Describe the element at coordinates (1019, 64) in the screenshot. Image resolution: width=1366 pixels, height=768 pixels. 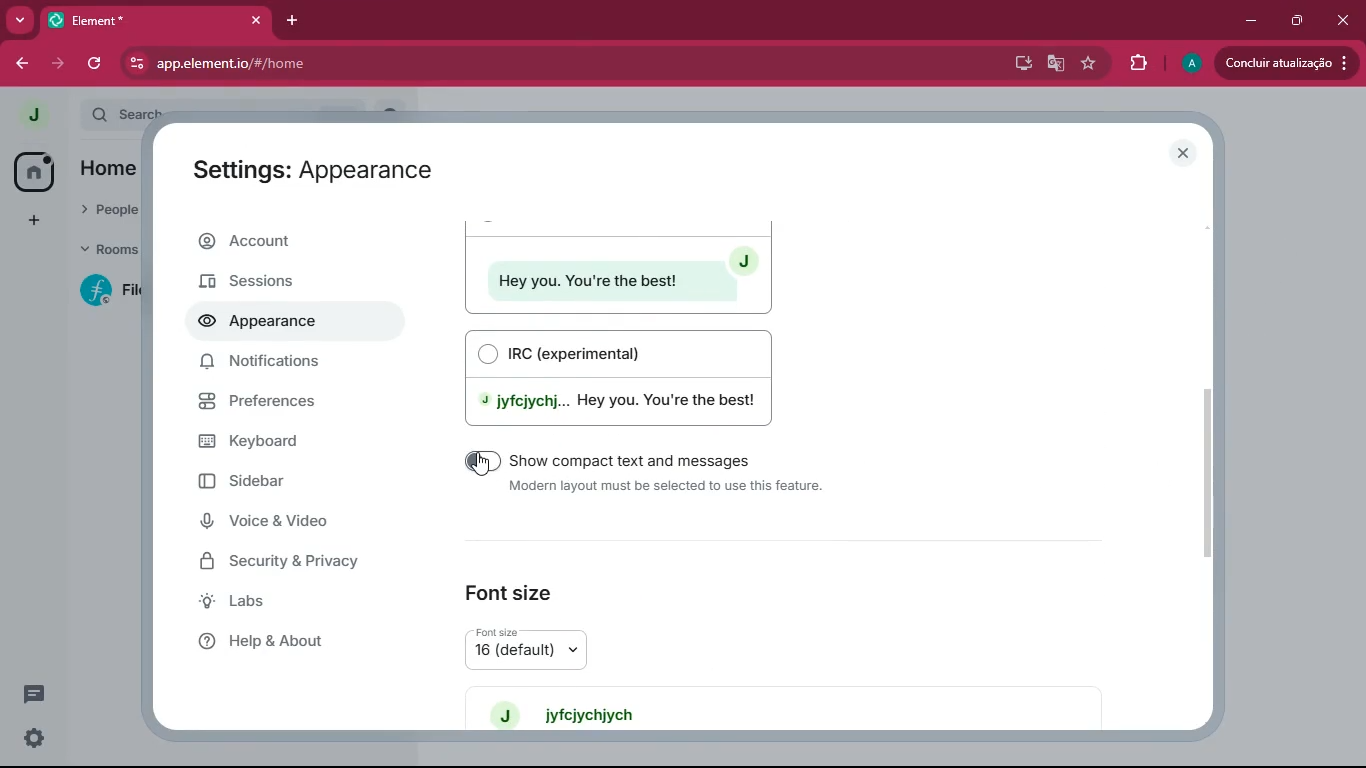
I see `desktop` at that location.